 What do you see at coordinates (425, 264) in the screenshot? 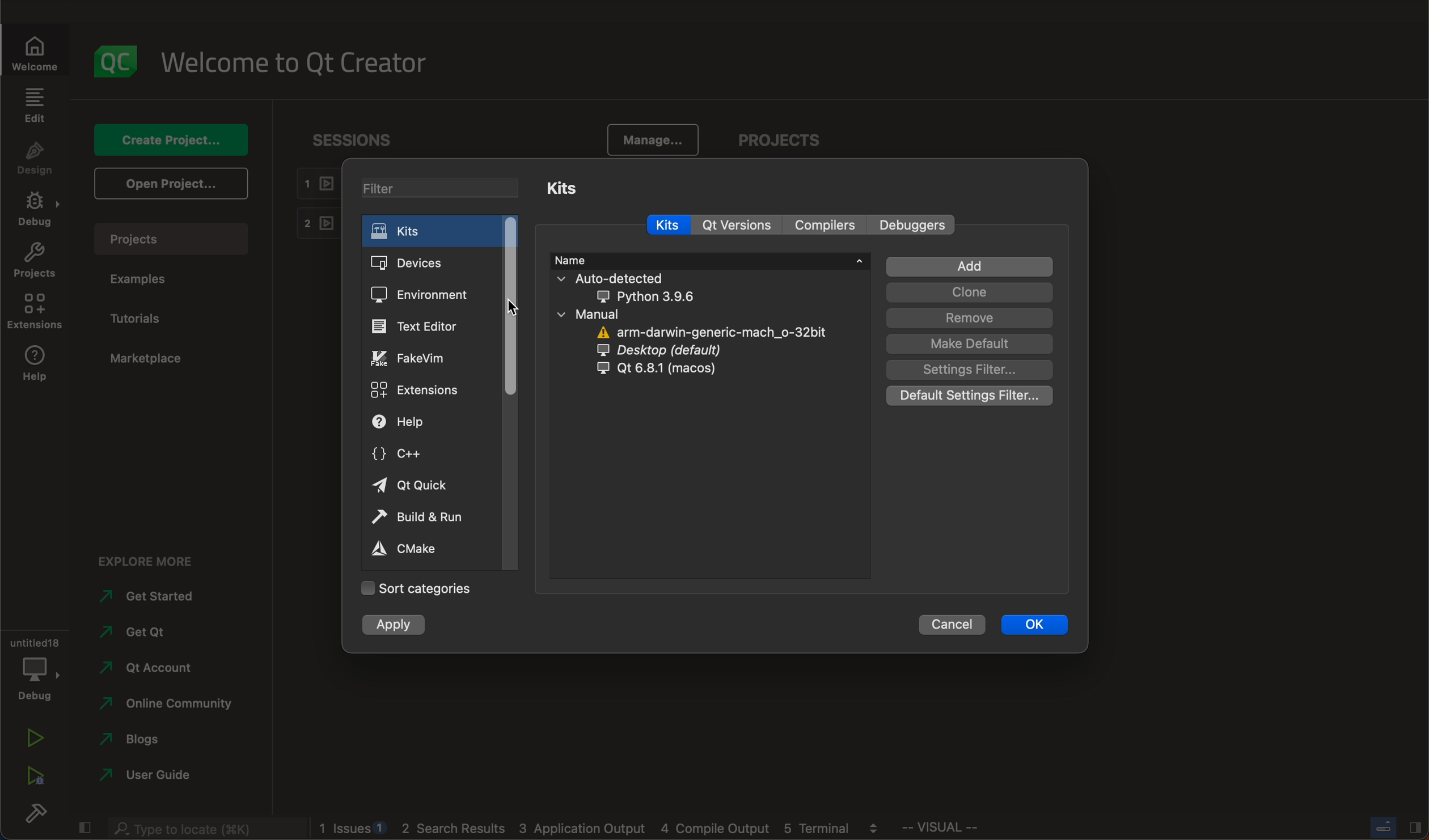
I see `devices` at bounding box center [425, 264].